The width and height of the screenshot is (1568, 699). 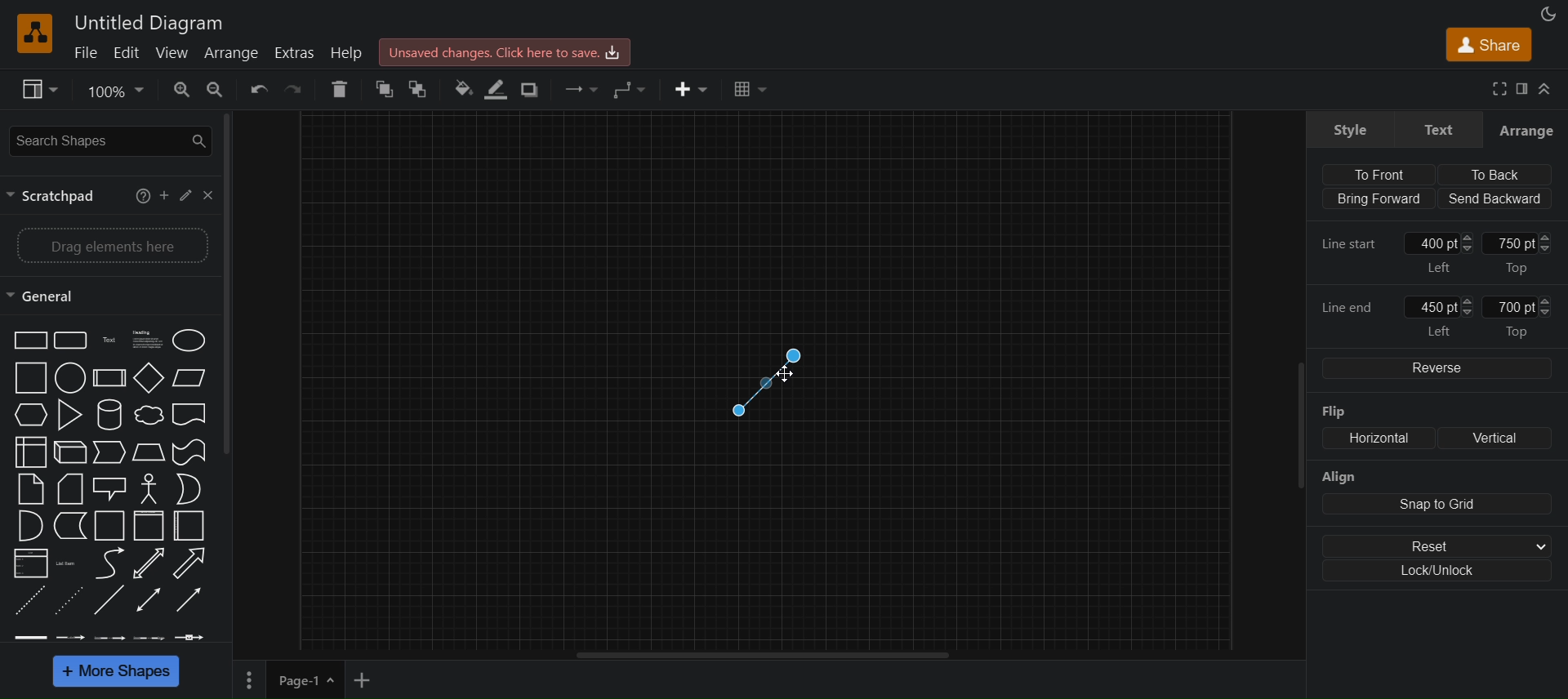 What do you see at coordinates (109, 453) in the screenshot?
I see `Step` at bounding box center [109, 453].